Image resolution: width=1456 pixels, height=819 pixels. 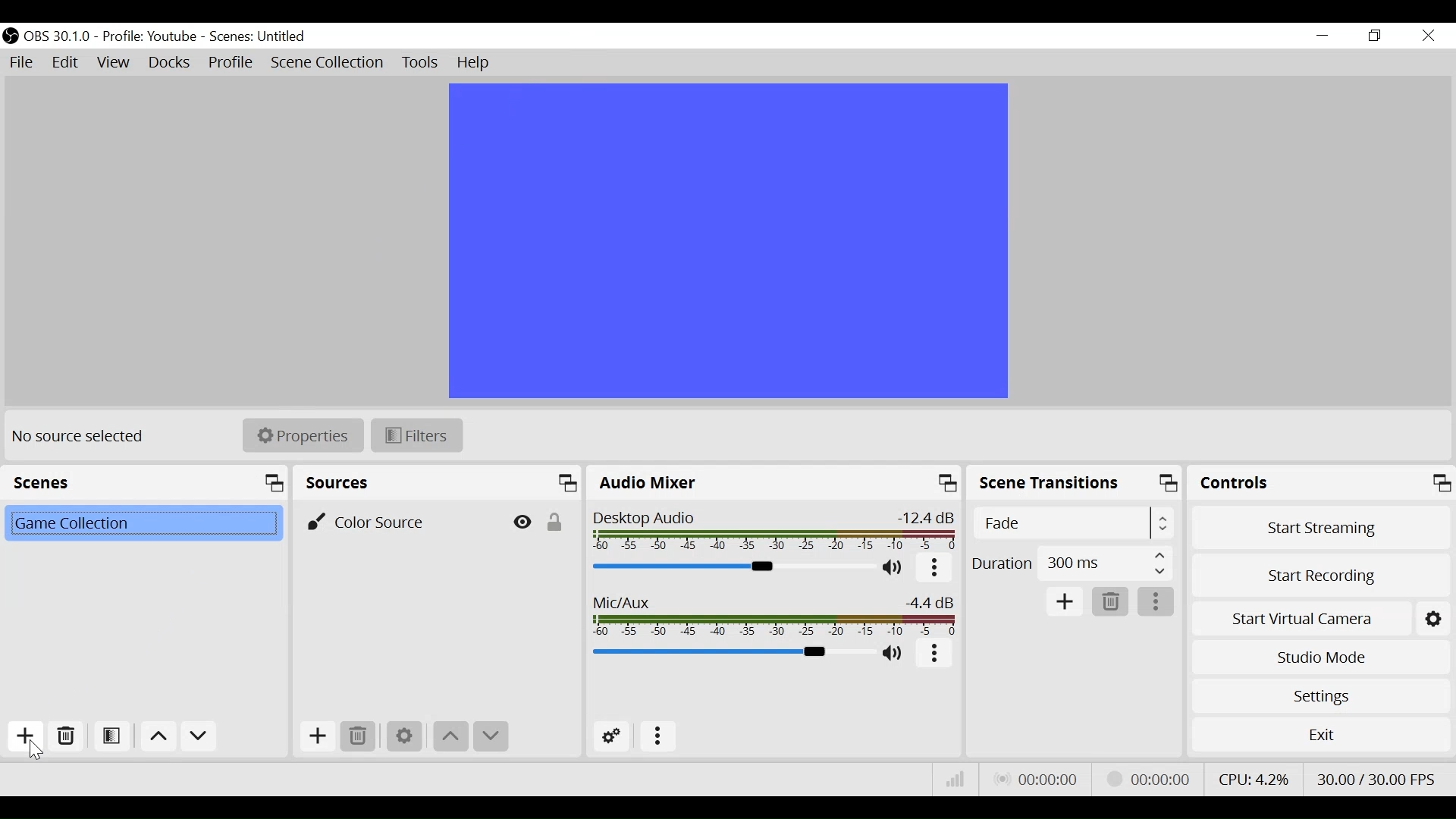 I want to click on Docks, so click(x=169, y=64).